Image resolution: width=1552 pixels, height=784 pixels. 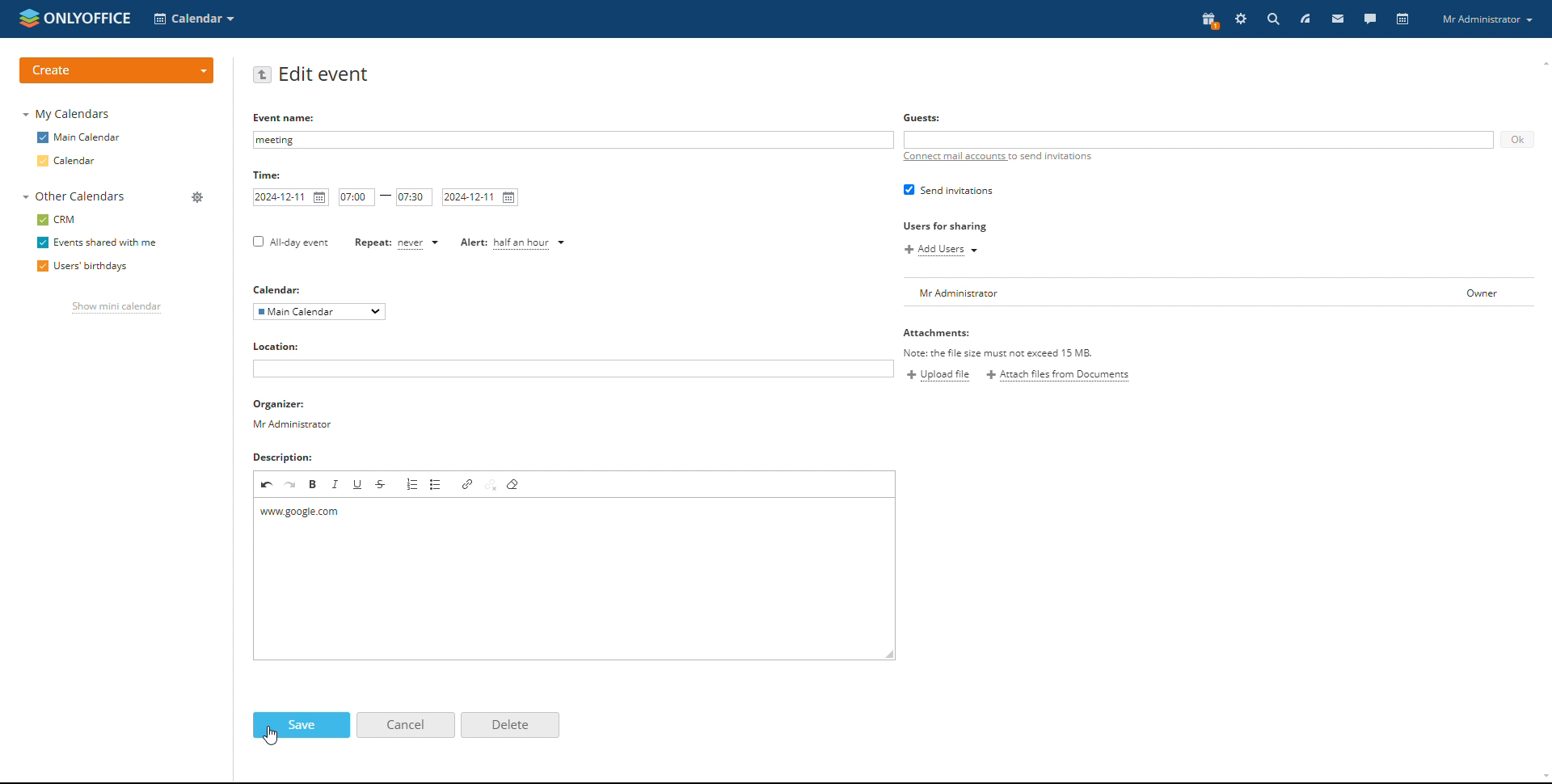 What do you see at coordinates (922, 117) in the screenshot?
I see `` at bounding box center [922, 117].